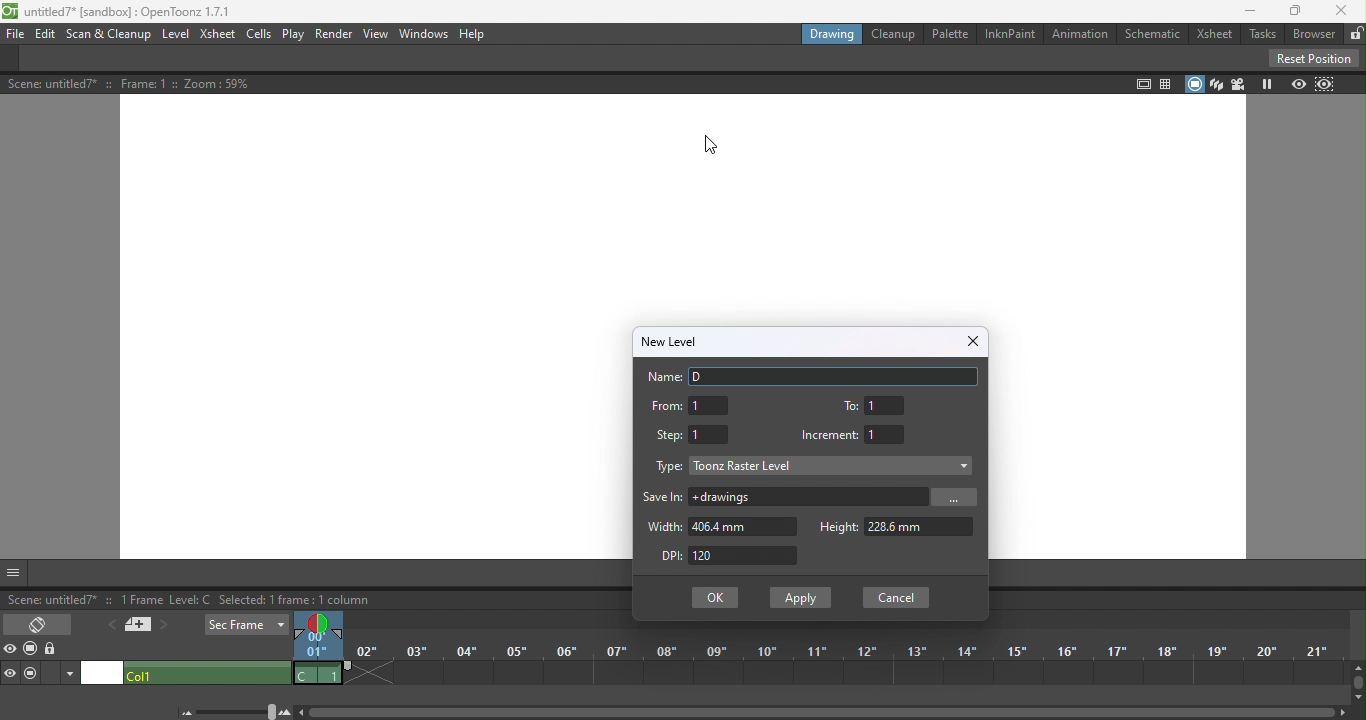 The width and height of the screenshot is (1366, 720). I want to click on Freeze, so click(1265, 84).